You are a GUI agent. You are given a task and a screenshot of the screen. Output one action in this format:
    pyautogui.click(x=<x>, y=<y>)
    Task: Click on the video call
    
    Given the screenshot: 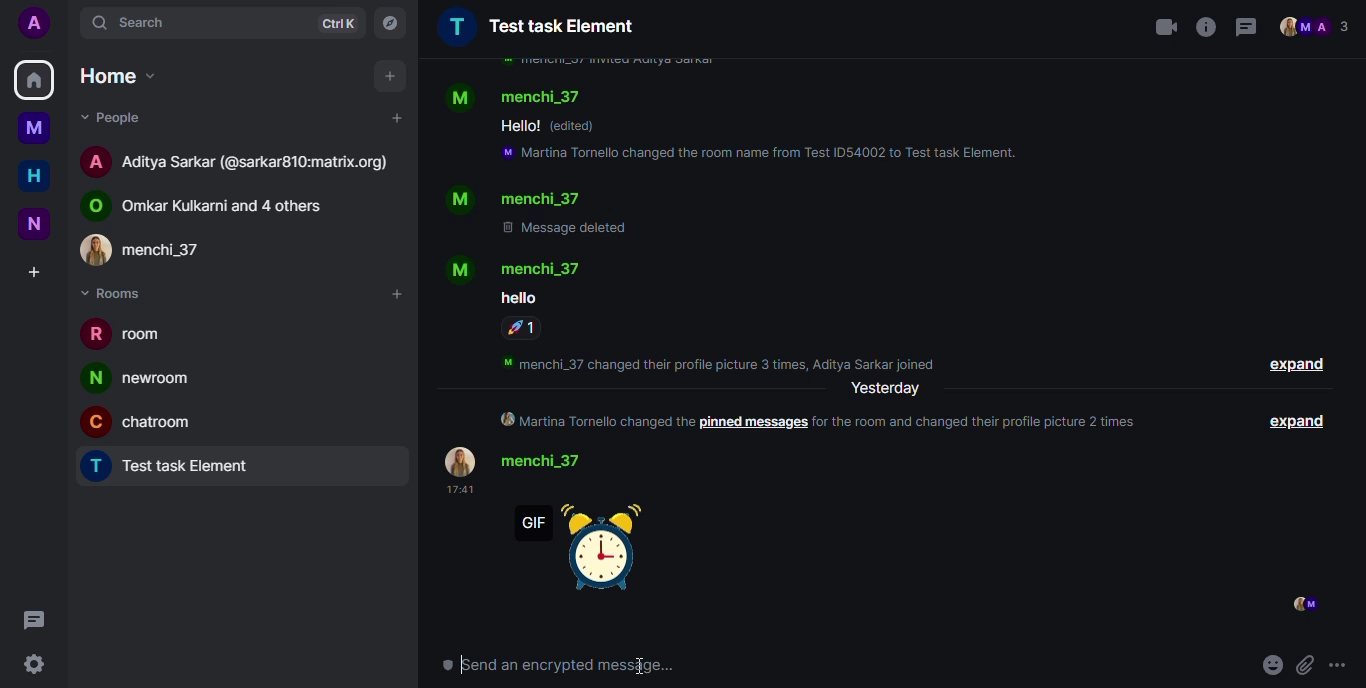 What is the action you would take?
    pyautogui.click(x=1165, y=26)
    